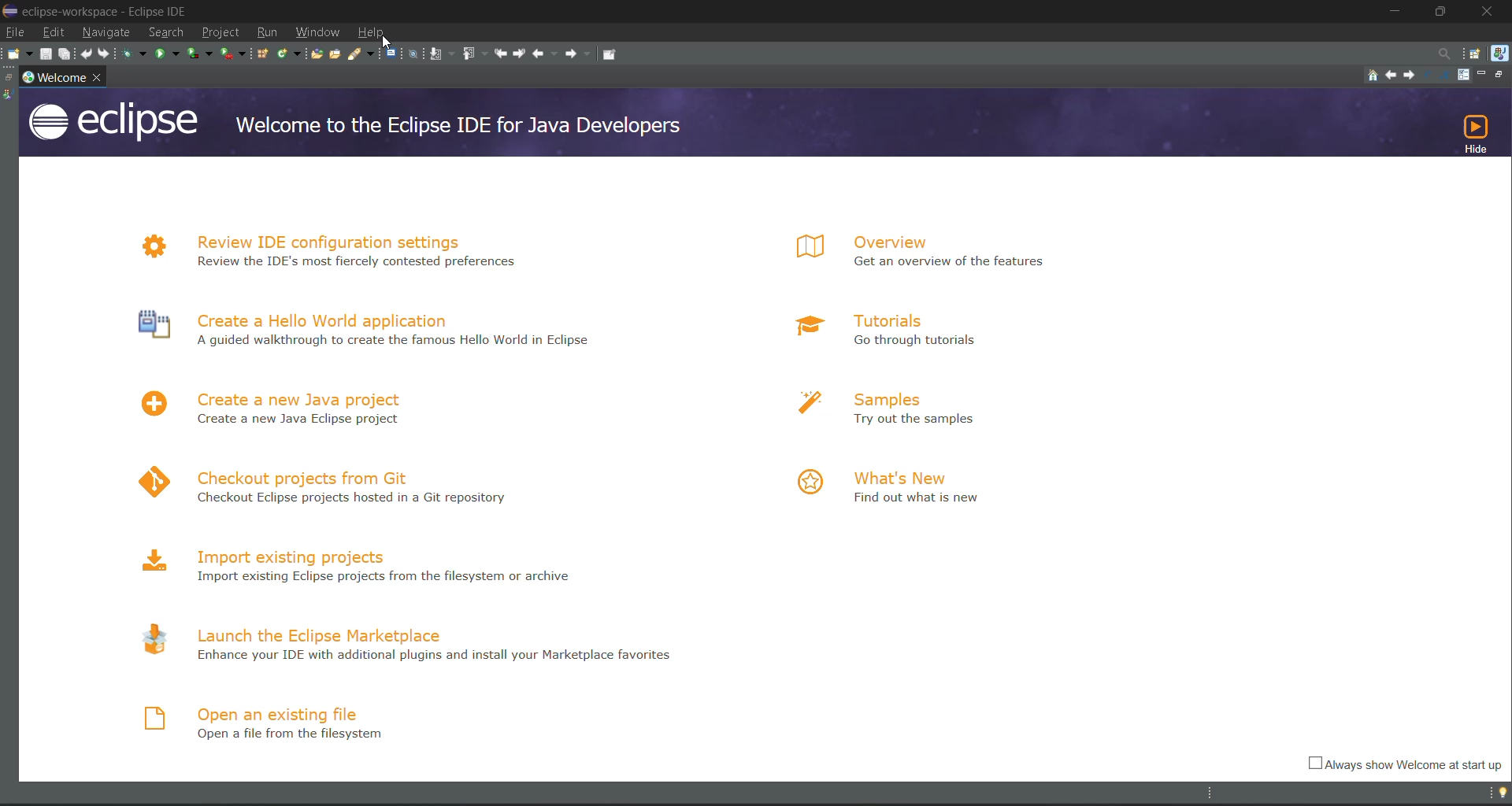 The height and width of the screenshot is (806, 1512). Describe the element at coordinates (372, 32) in the screenshot. I see `help` at that location.